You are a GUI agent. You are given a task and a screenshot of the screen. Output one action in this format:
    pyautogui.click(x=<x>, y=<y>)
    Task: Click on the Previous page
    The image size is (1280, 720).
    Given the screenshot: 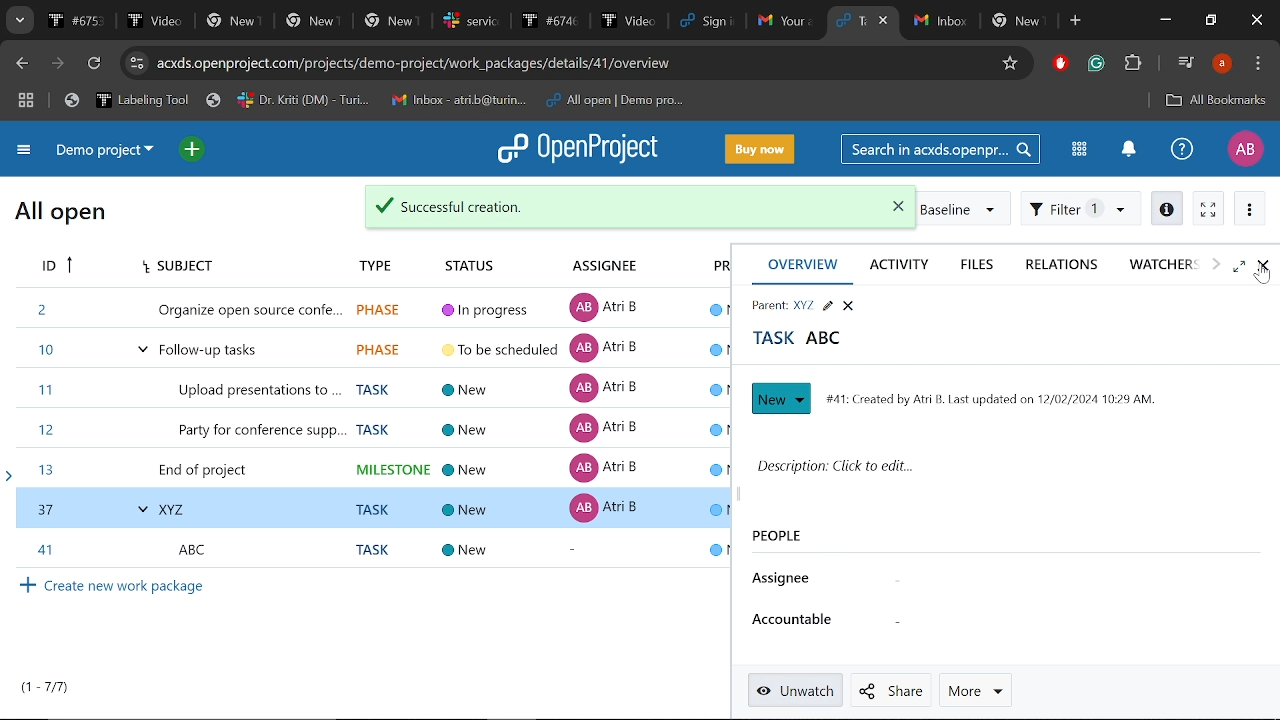 What is the action you would take?
    pyautogui.click(x=19, y=64)
    